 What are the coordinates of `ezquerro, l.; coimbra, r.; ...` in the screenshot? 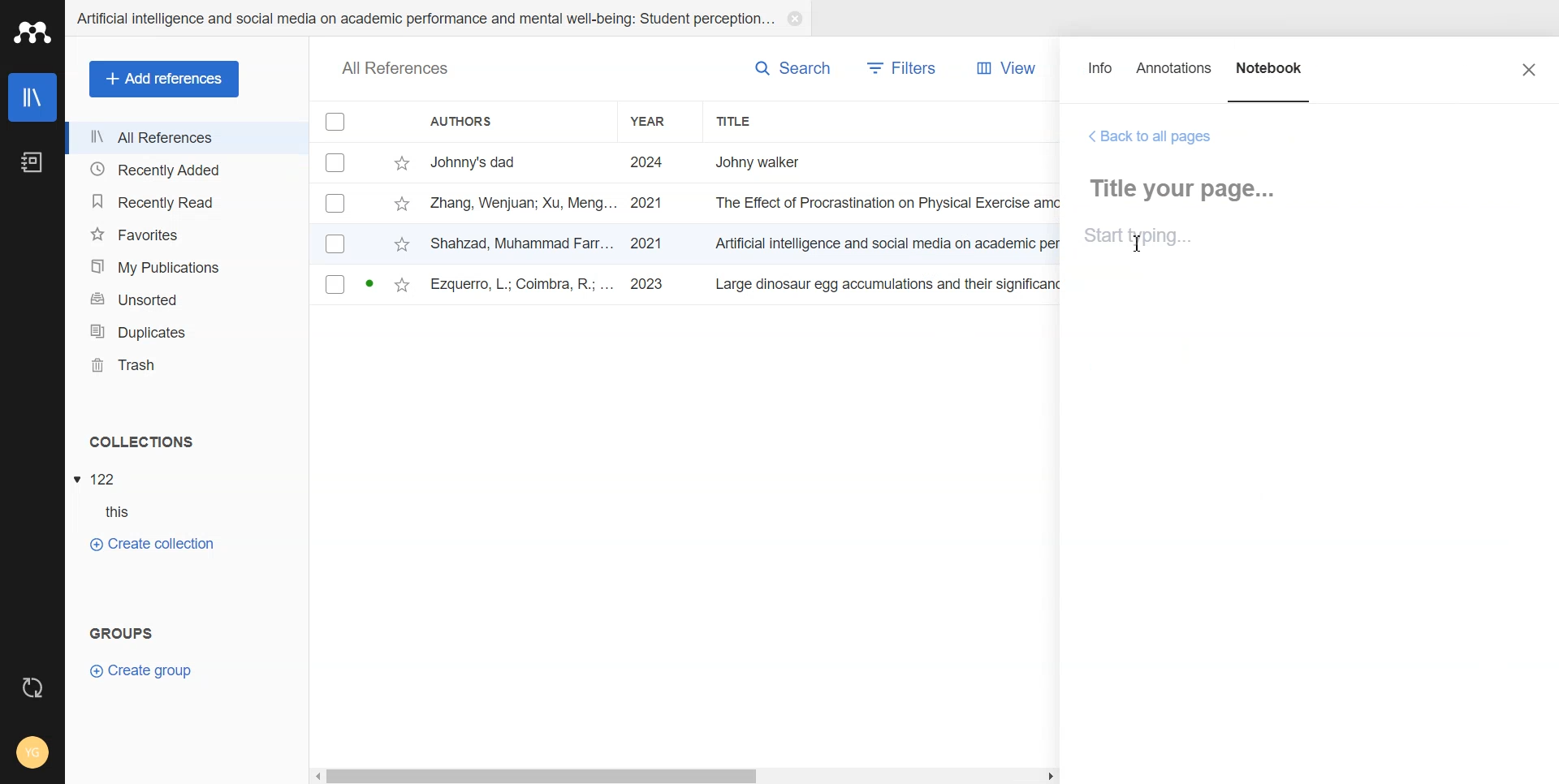 It's located at (524, 286).